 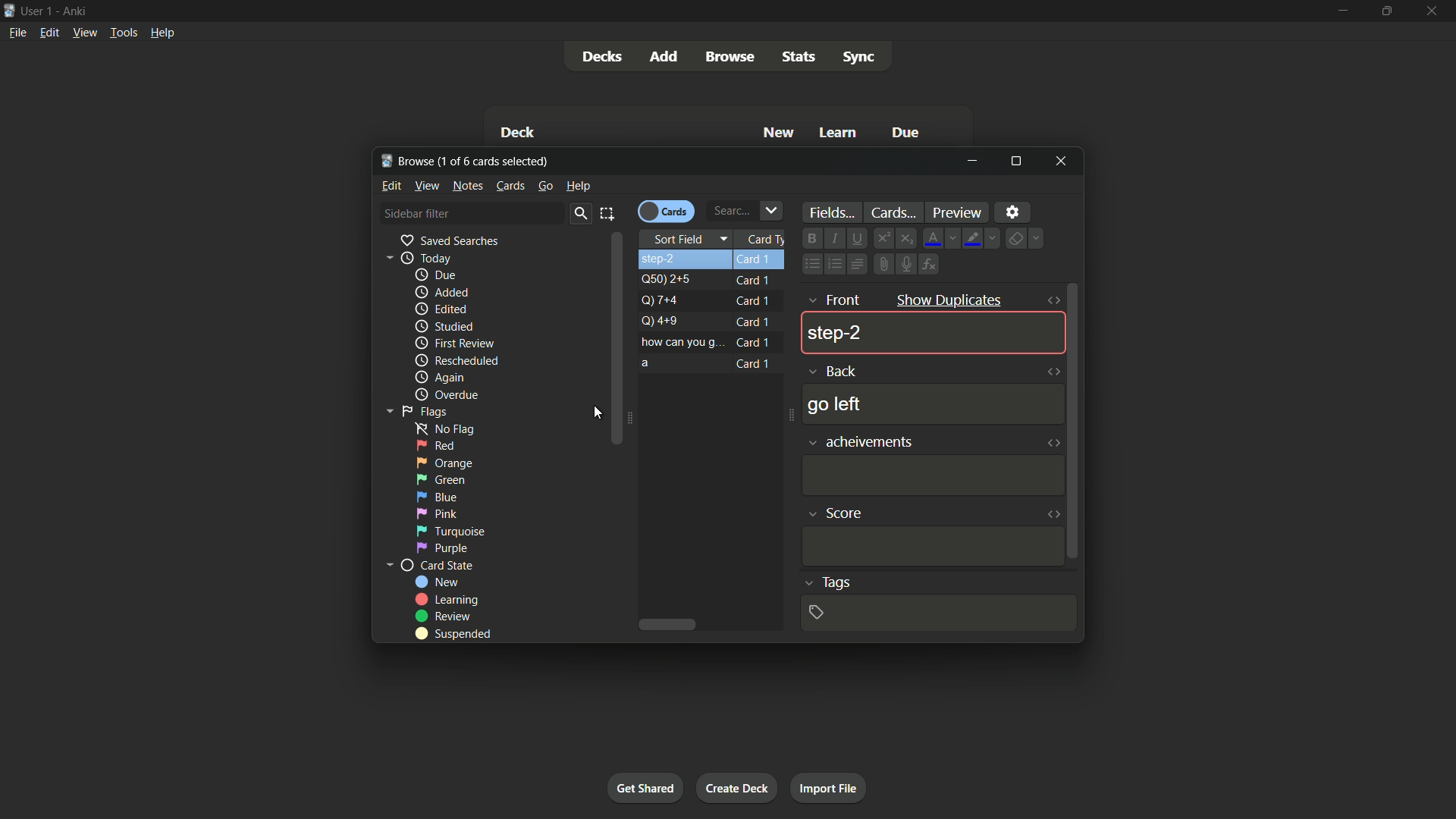 What do you see at coordinates (444, 327) in the screenshot?
I see `Studied` at bounding box center [444, 327].